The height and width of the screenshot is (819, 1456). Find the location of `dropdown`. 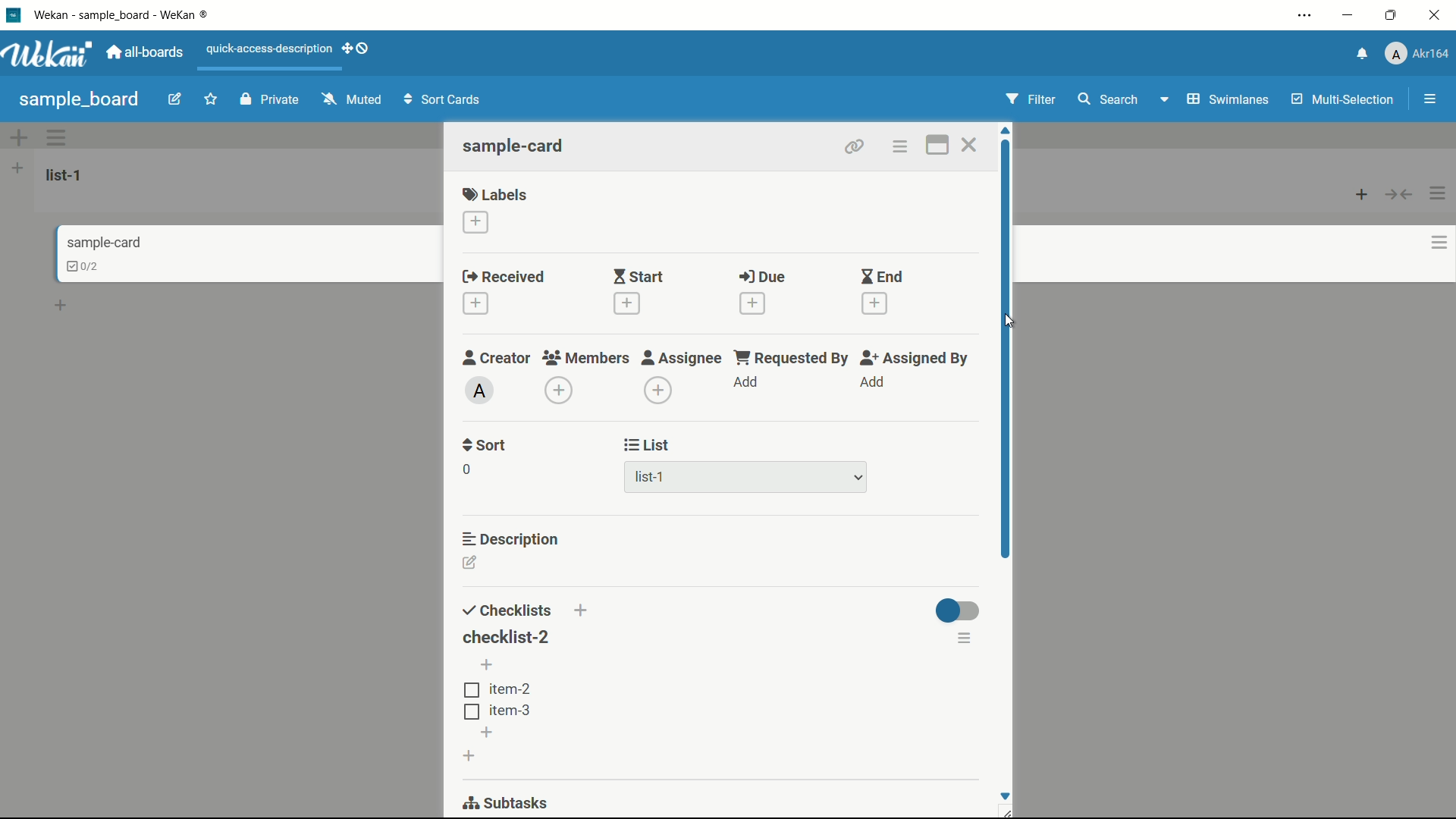

dropdown is located at coordinates (858, 480).